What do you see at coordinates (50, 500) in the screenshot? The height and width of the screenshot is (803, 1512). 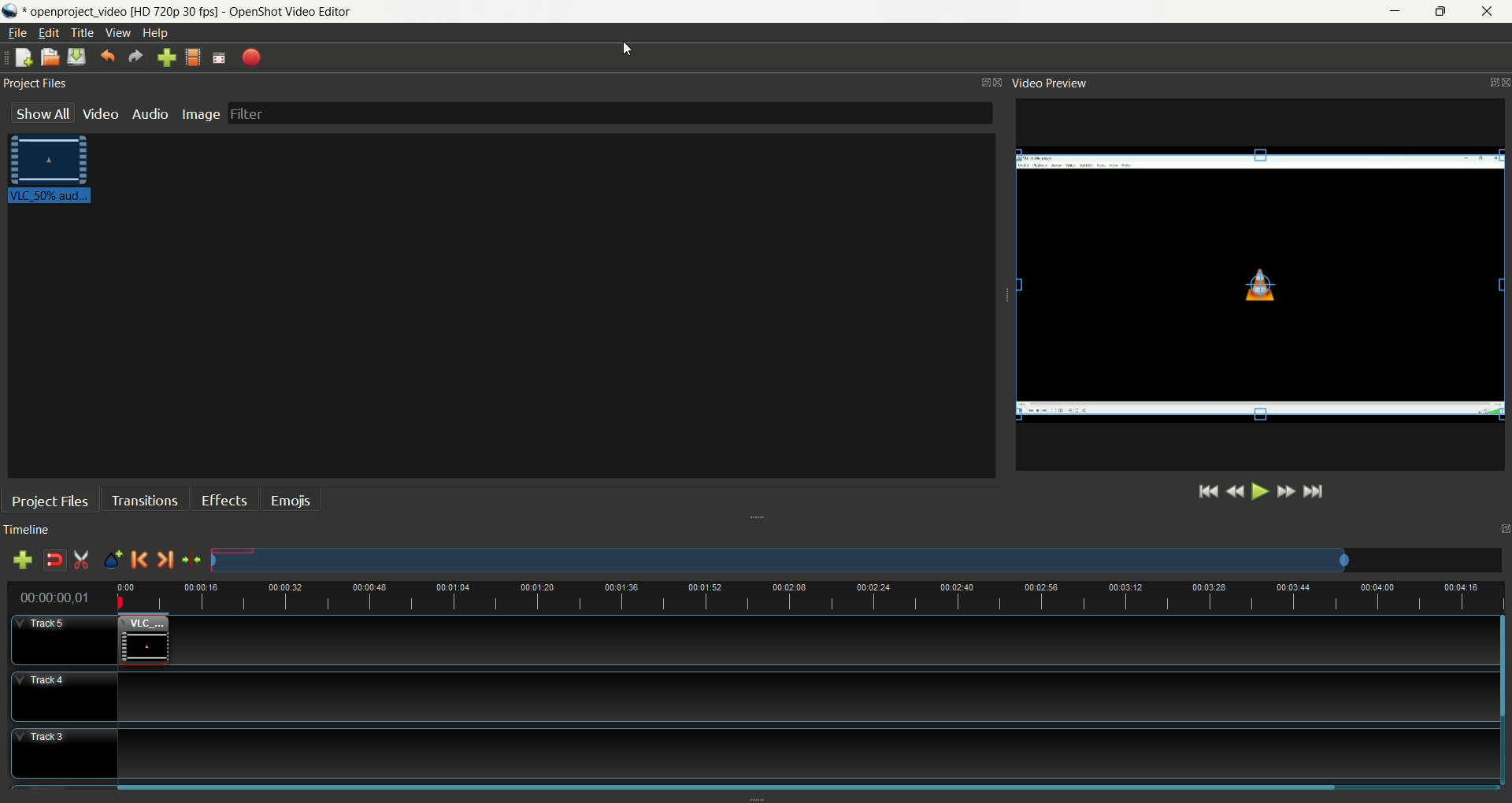 I see `project files` at bounding box center [50, 500].